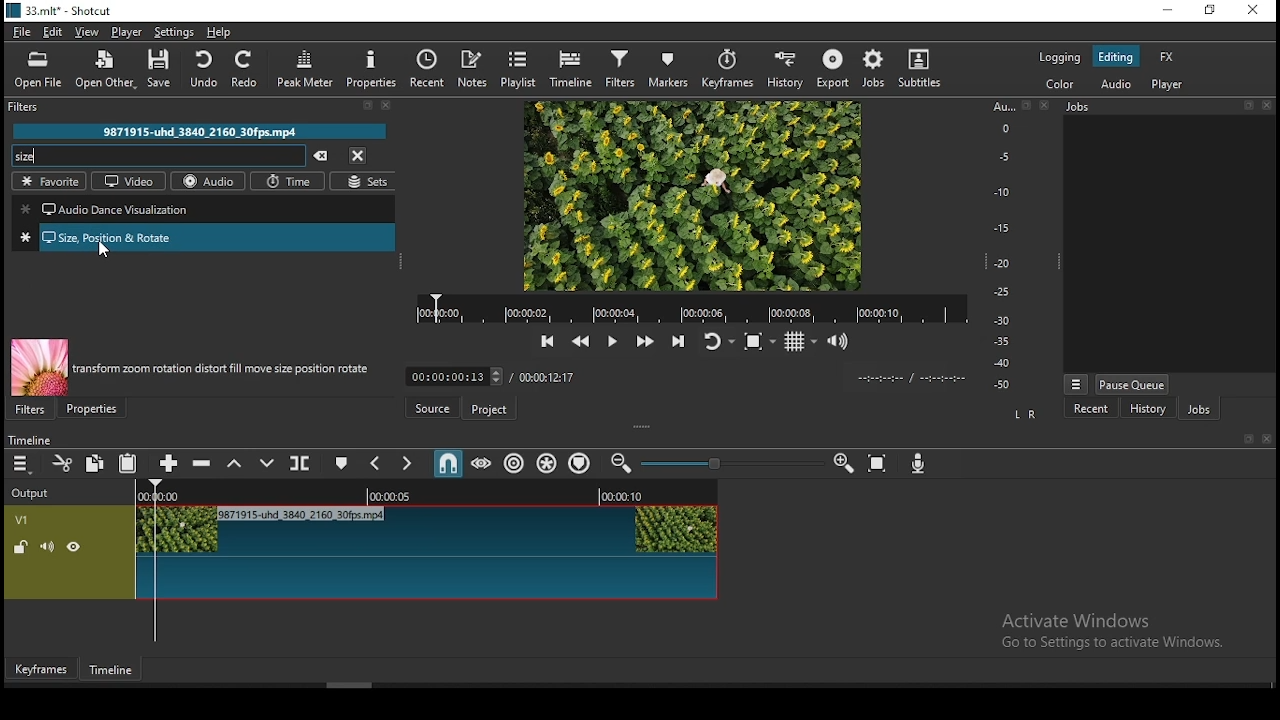 This screenshot has width=1280, height=720. Describe the element at coordinates (1250, 10) in the screenshot. I see `close window` at that location.